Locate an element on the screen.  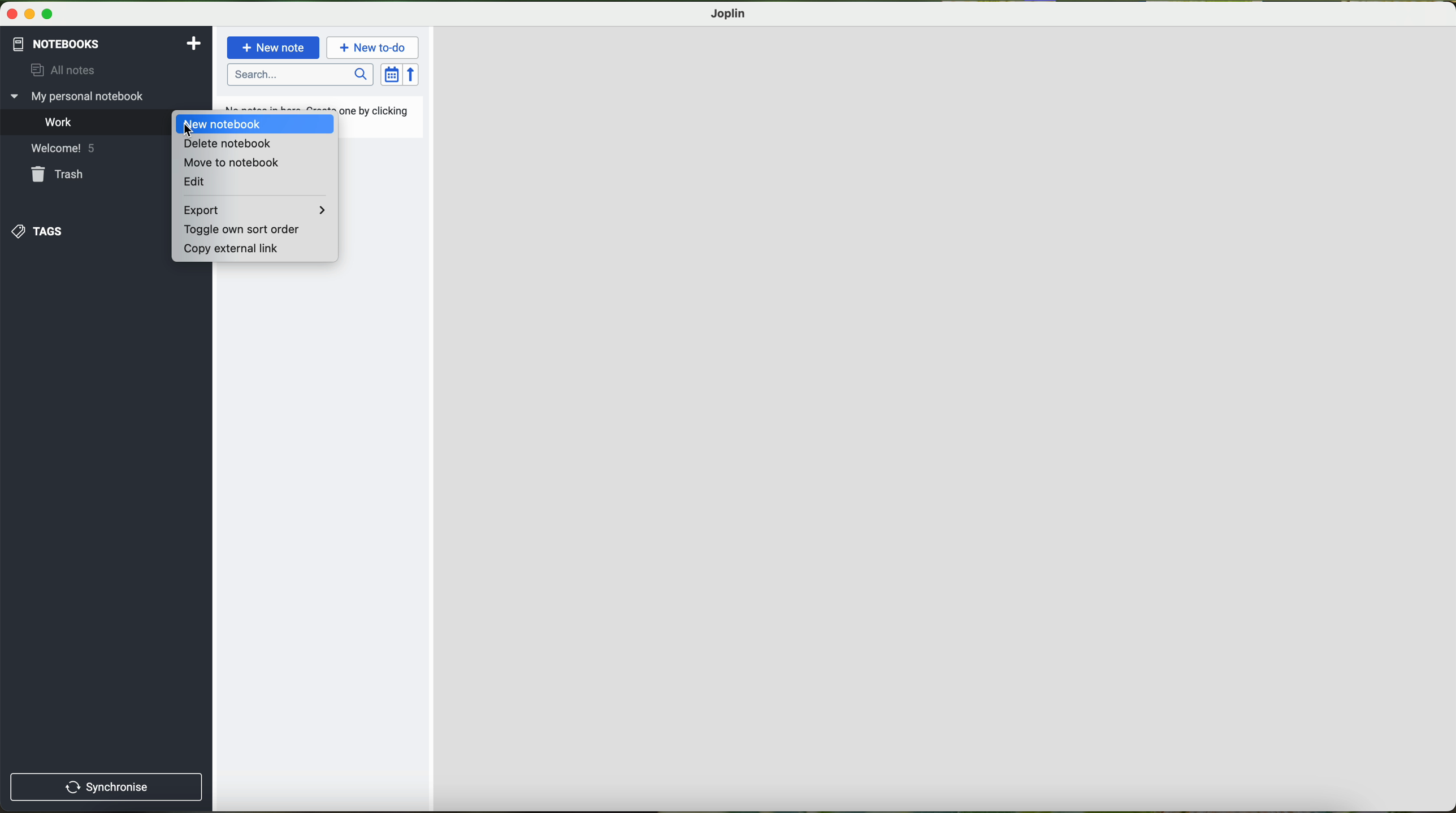
 is located at coordinates (415, 76).